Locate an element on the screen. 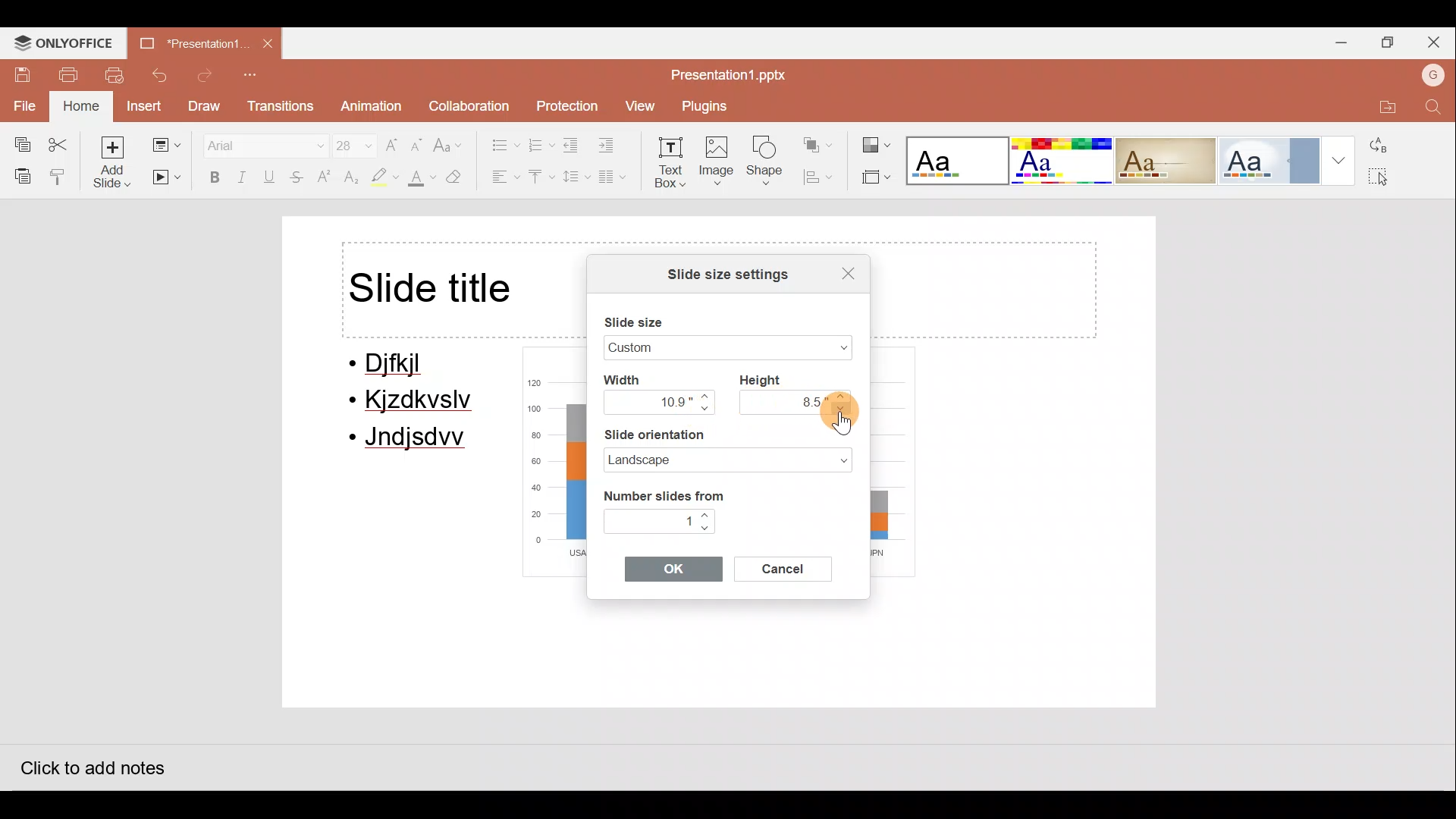 The width and height of the screenshot is (1456, 819). Save is located at coordinates (17, 70).